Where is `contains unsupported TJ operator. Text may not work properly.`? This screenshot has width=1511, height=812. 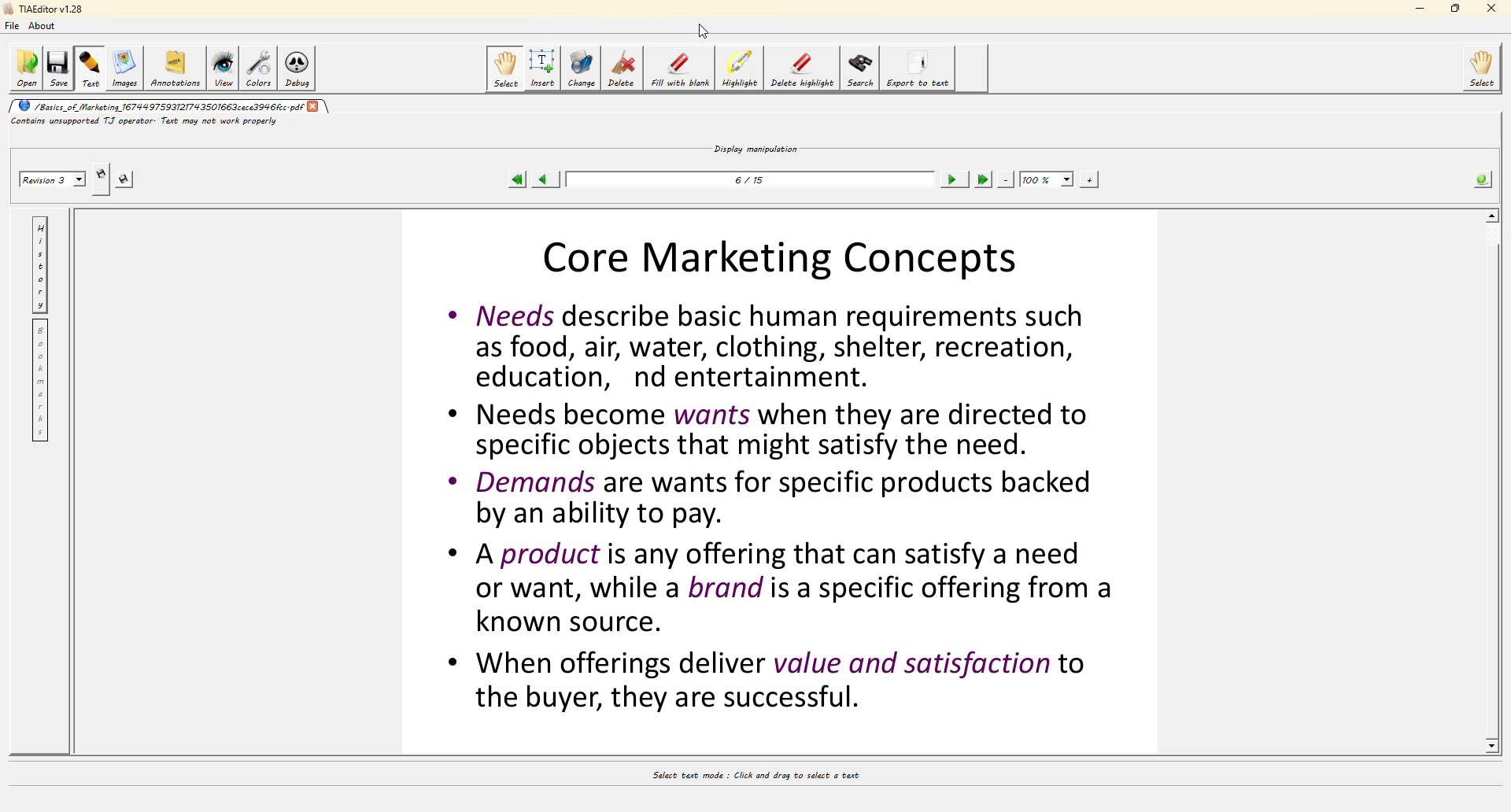
contains unsupported TJ operator. Text may not work properly. is located at coordinates (175, 121).